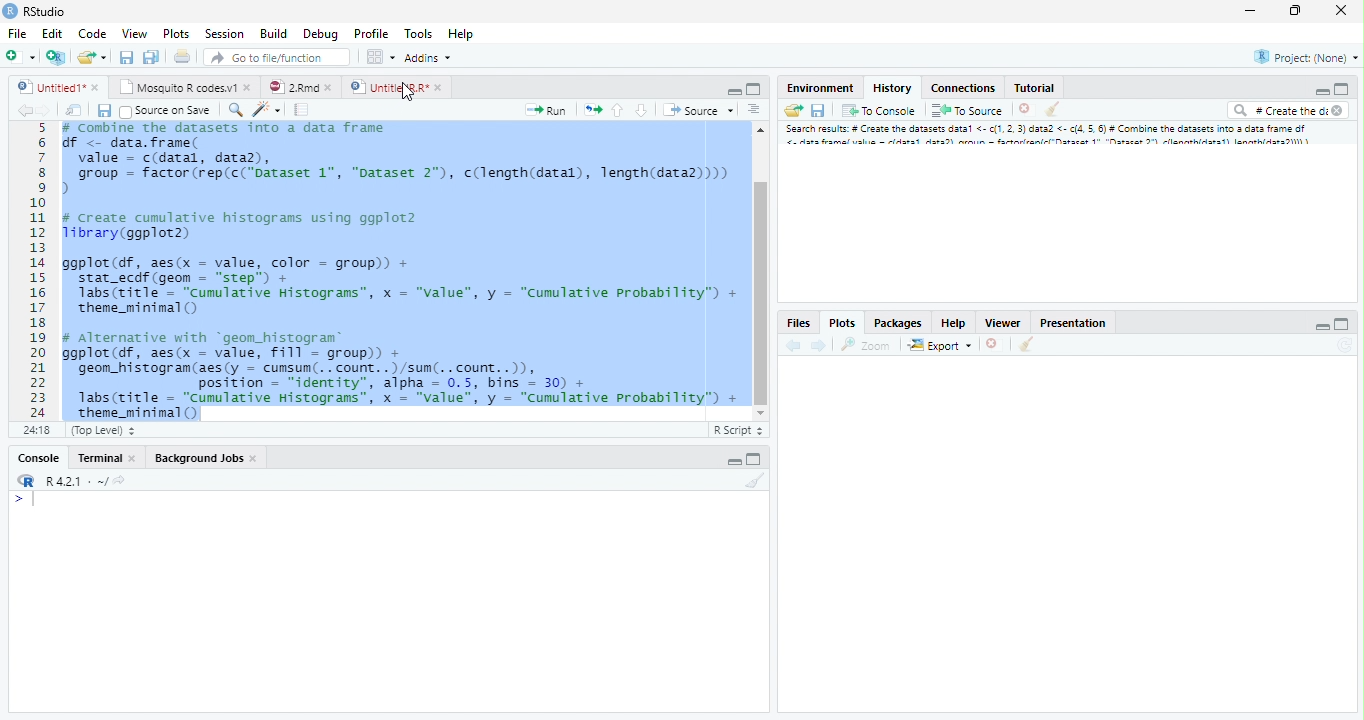 This screenshot has width=1364, height=720. What do you see at coordinates (1035, 88) in the screenshot?
I see `Tutorial` at bounding box center [1035, 88].